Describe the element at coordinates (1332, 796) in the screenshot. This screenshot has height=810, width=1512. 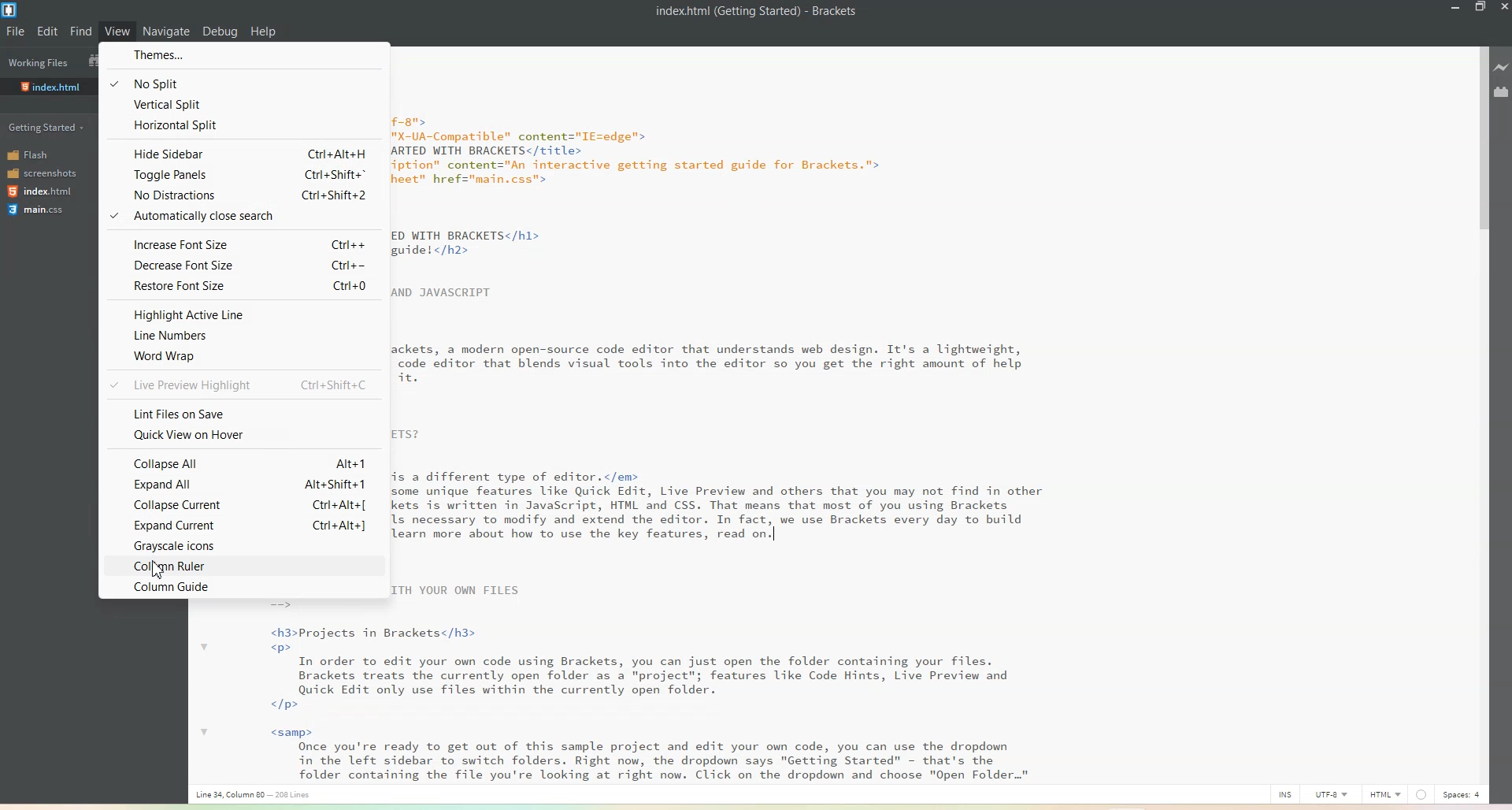
I see `UTF-8` at that location.